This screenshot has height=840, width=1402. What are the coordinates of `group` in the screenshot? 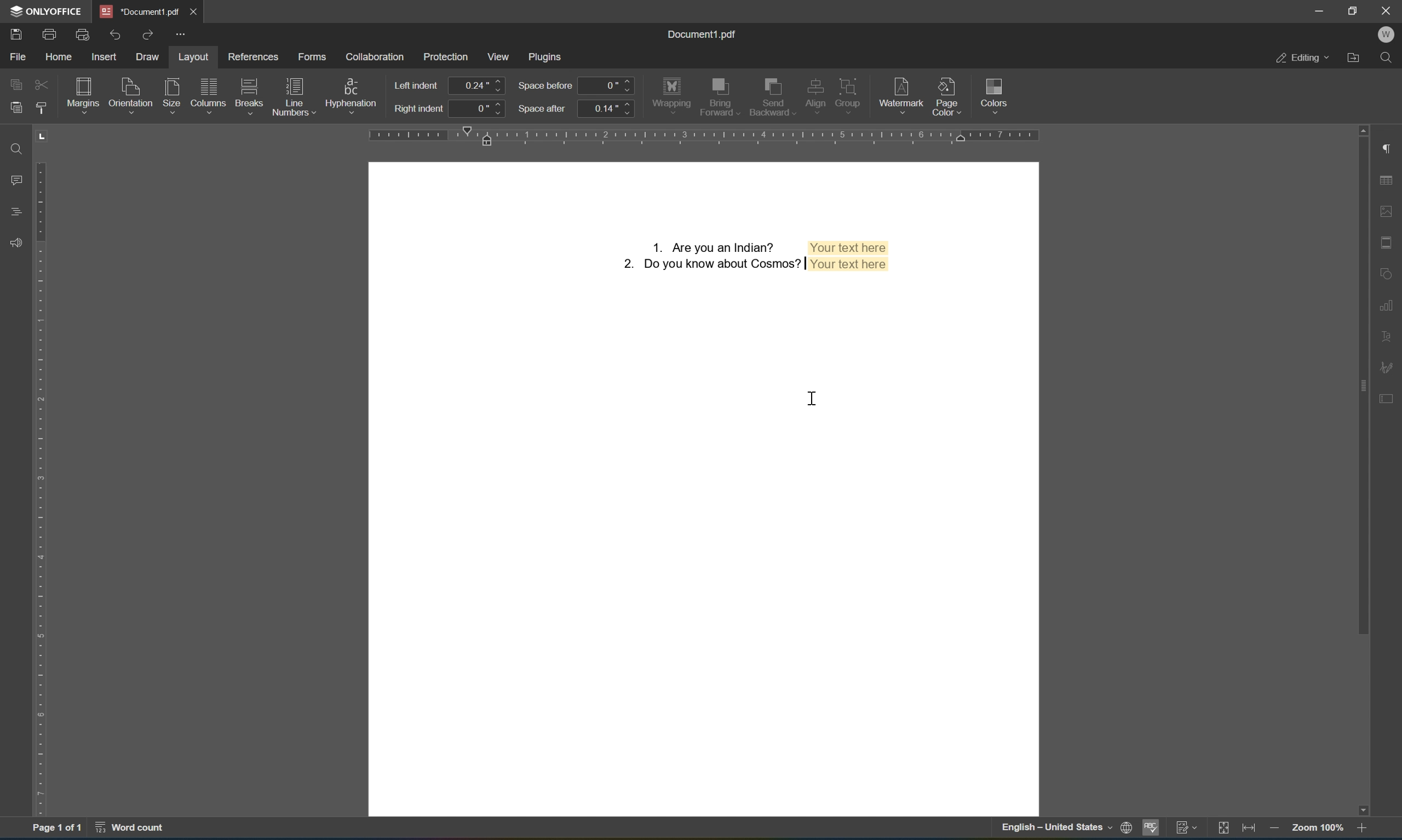 It's located at (853, 92).